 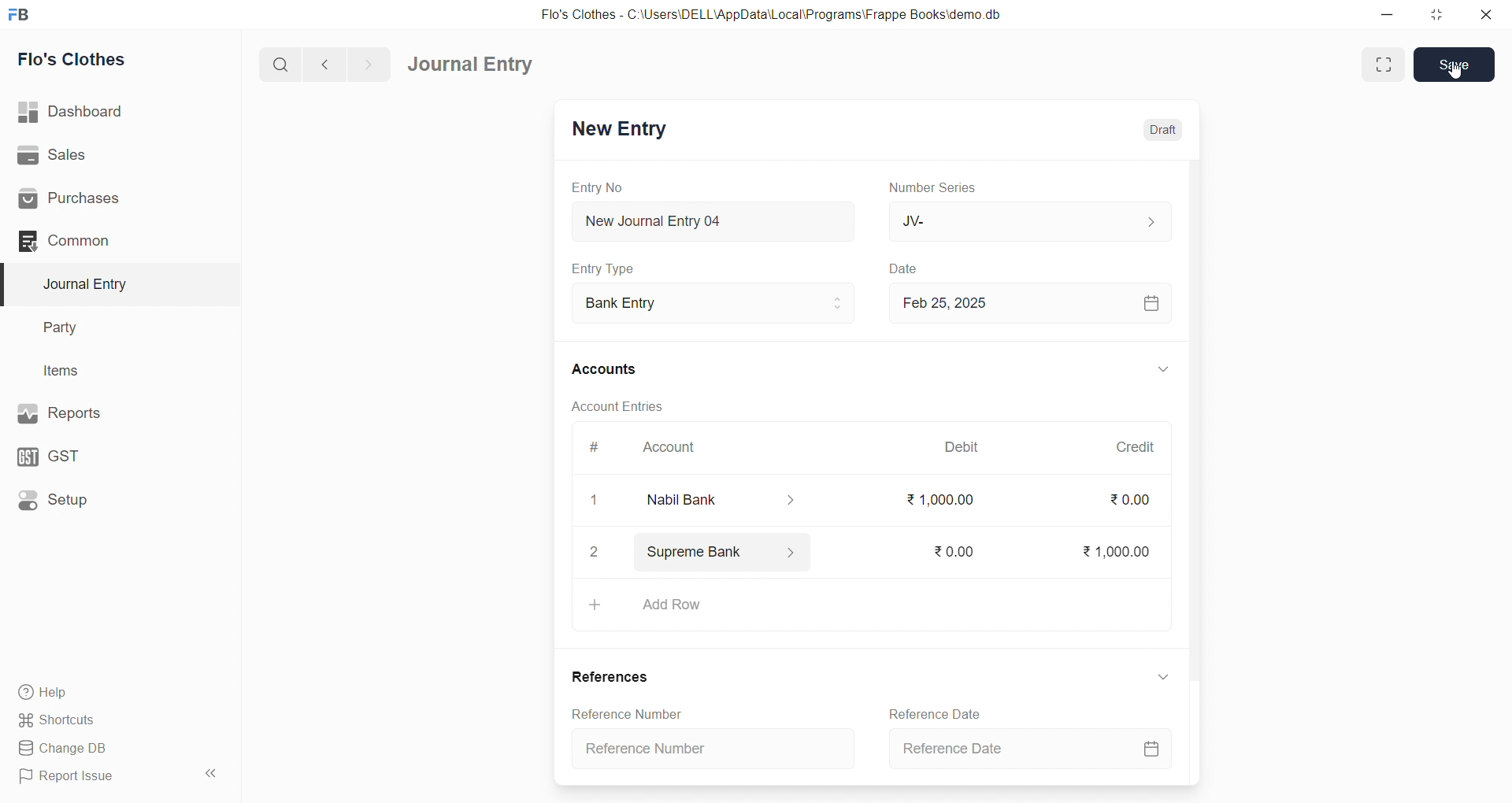 I want to click on Entry Type, so click(x=603, y=268).